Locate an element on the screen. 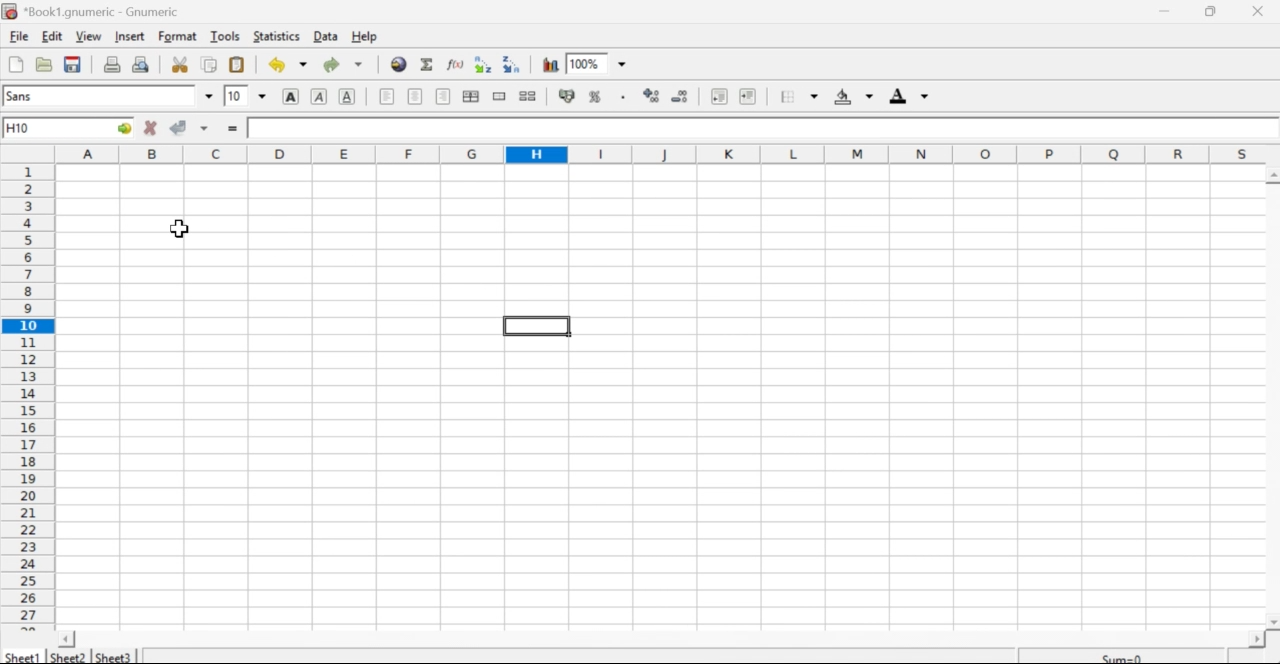 The image size is (1280, 664). View is located at coordinates (90, 35).